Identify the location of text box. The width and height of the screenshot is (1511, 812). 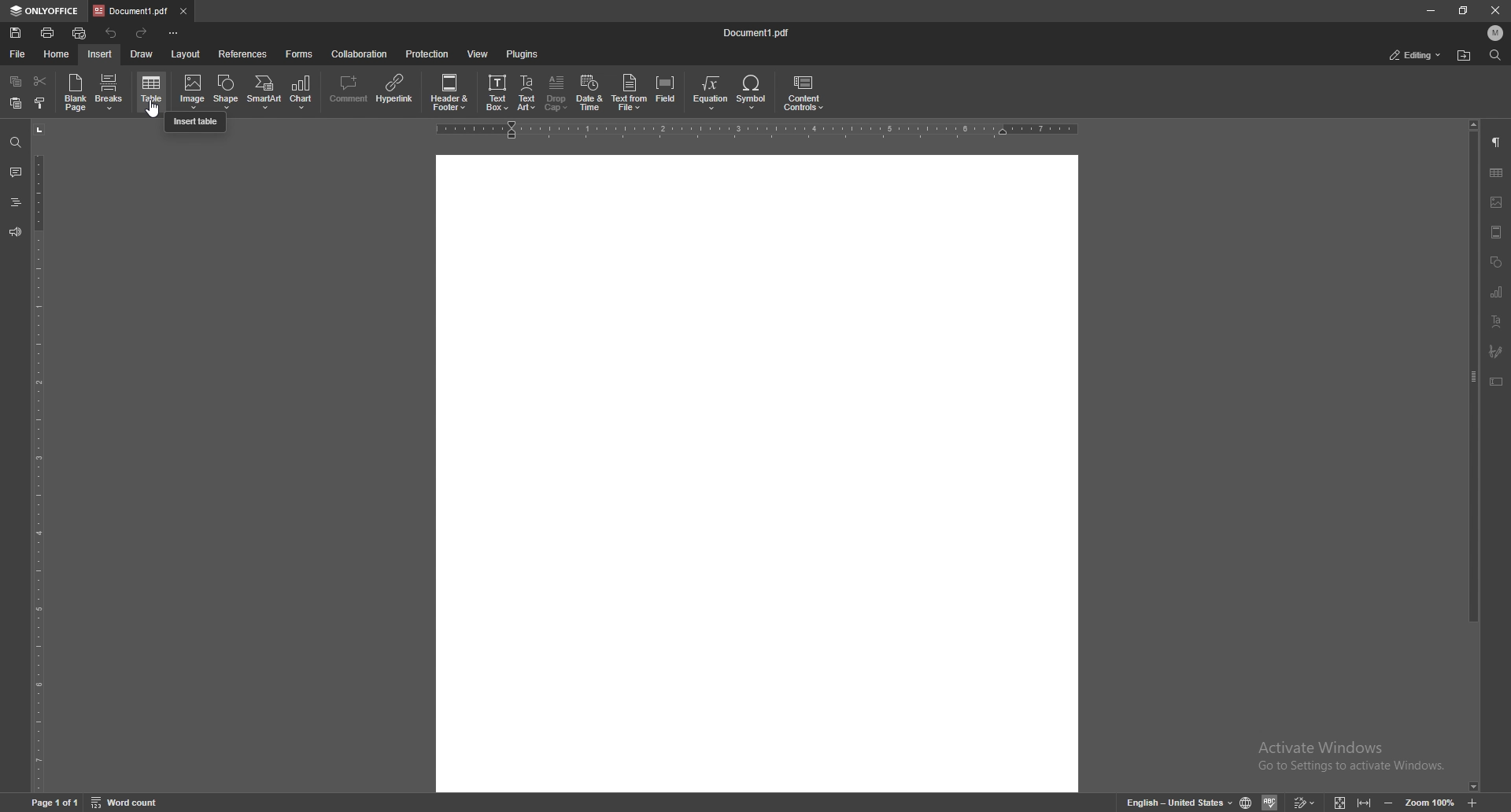
(1498, 382).